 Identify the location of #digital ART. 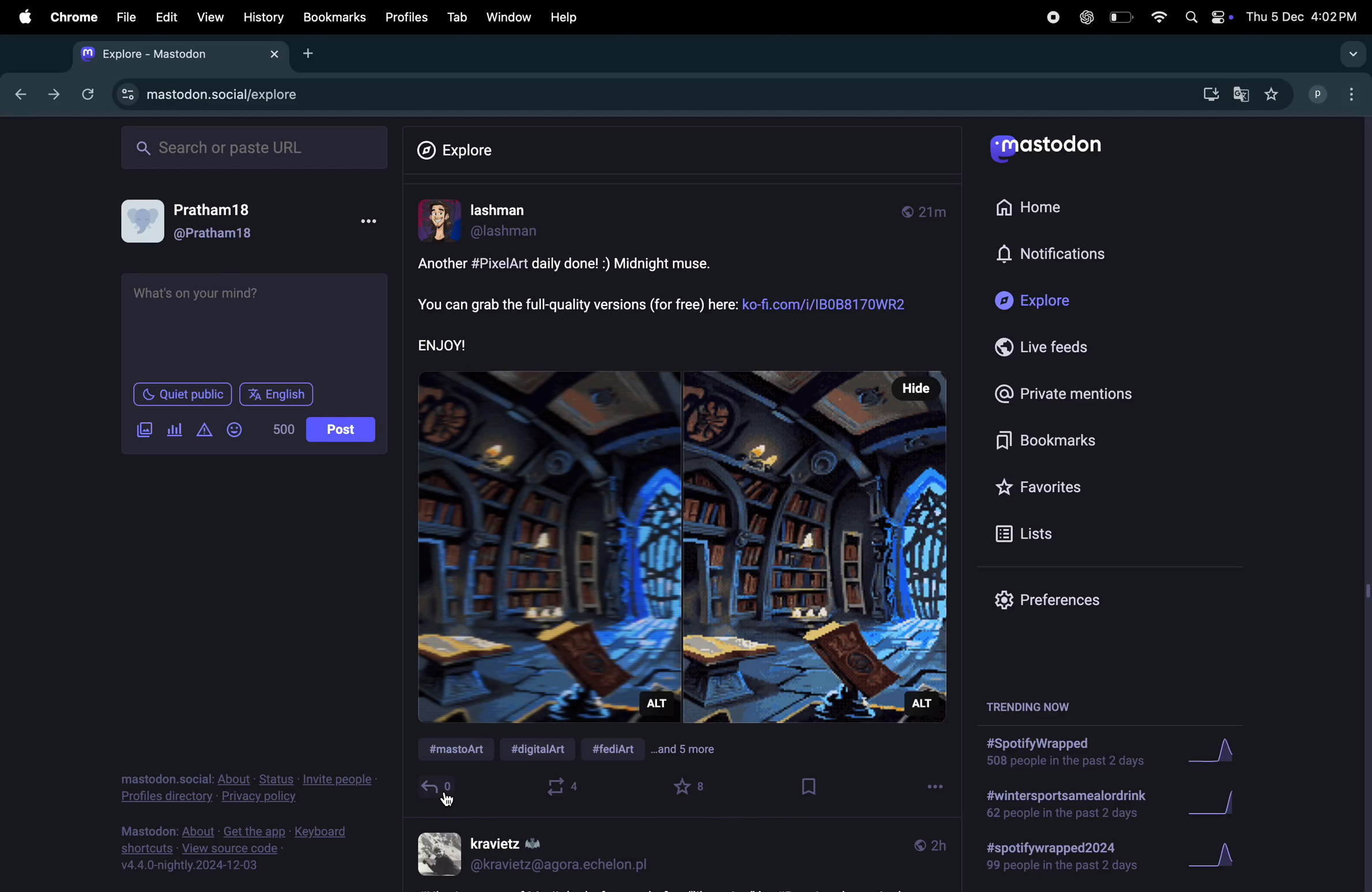
(545, 751).